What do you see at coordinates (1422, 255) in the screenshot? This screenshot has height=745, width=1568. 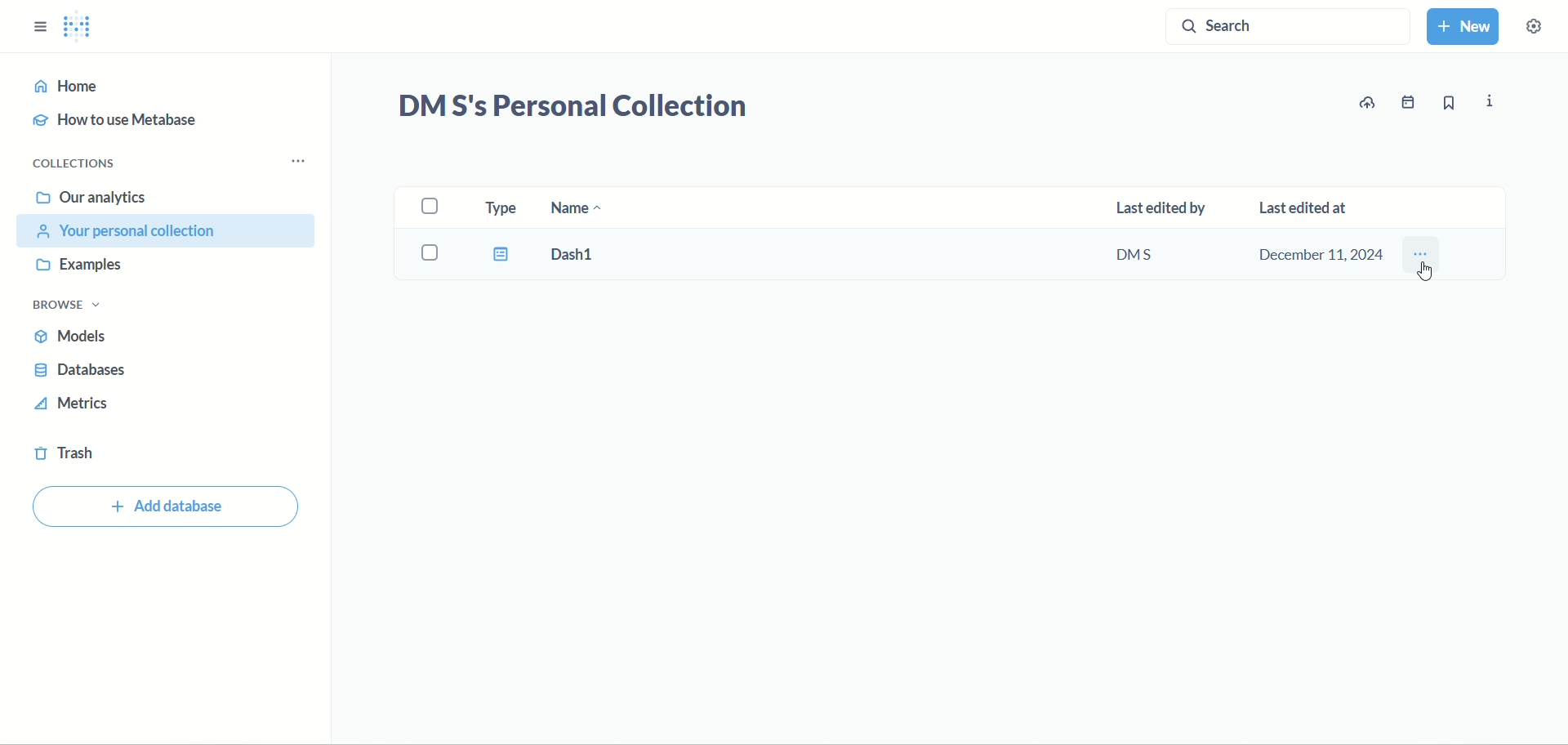 I see `dash1 options` at bounding box center [1422, 255].